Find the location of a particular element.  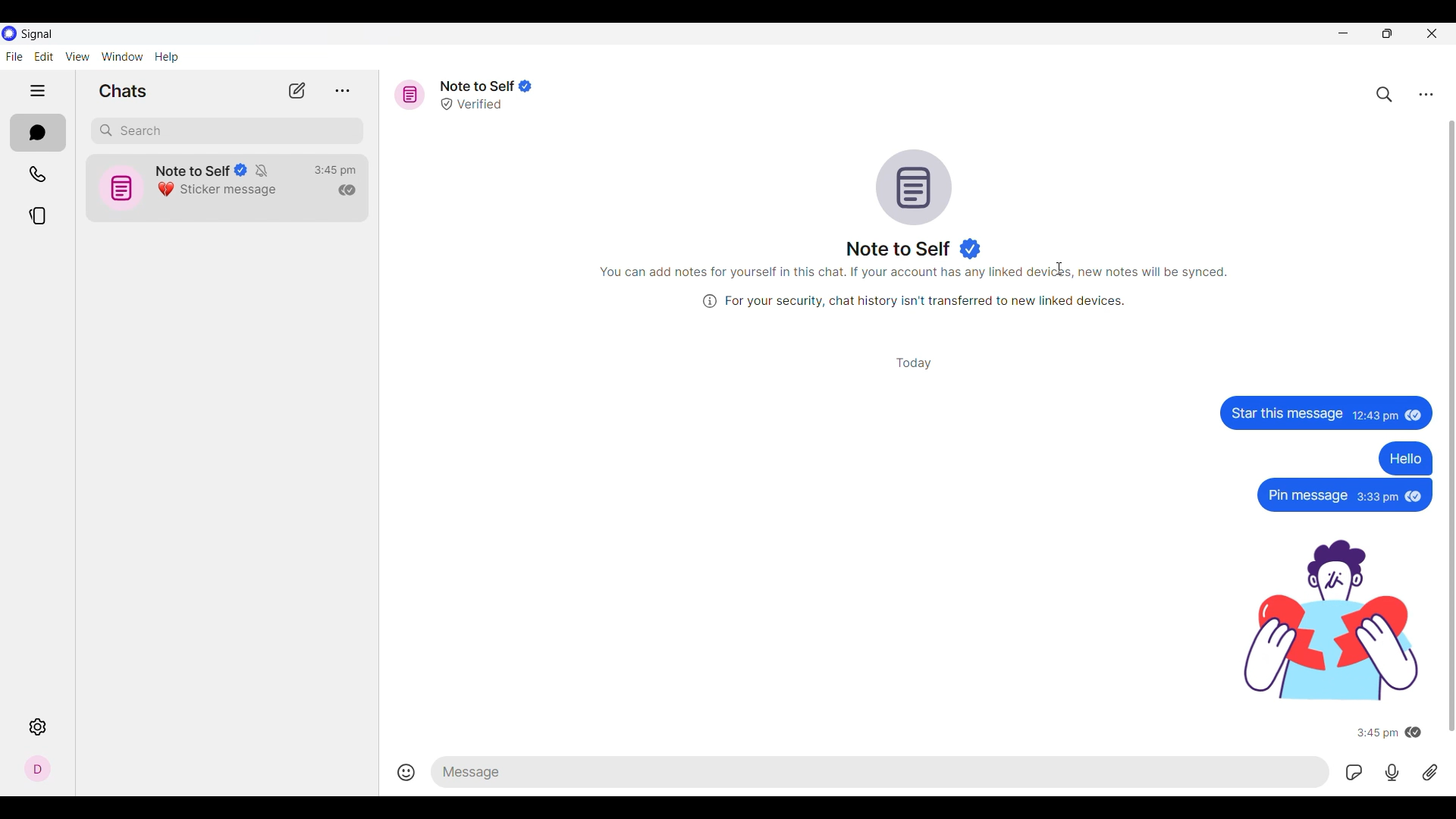

Message icon is located at coordinates (409, 95).